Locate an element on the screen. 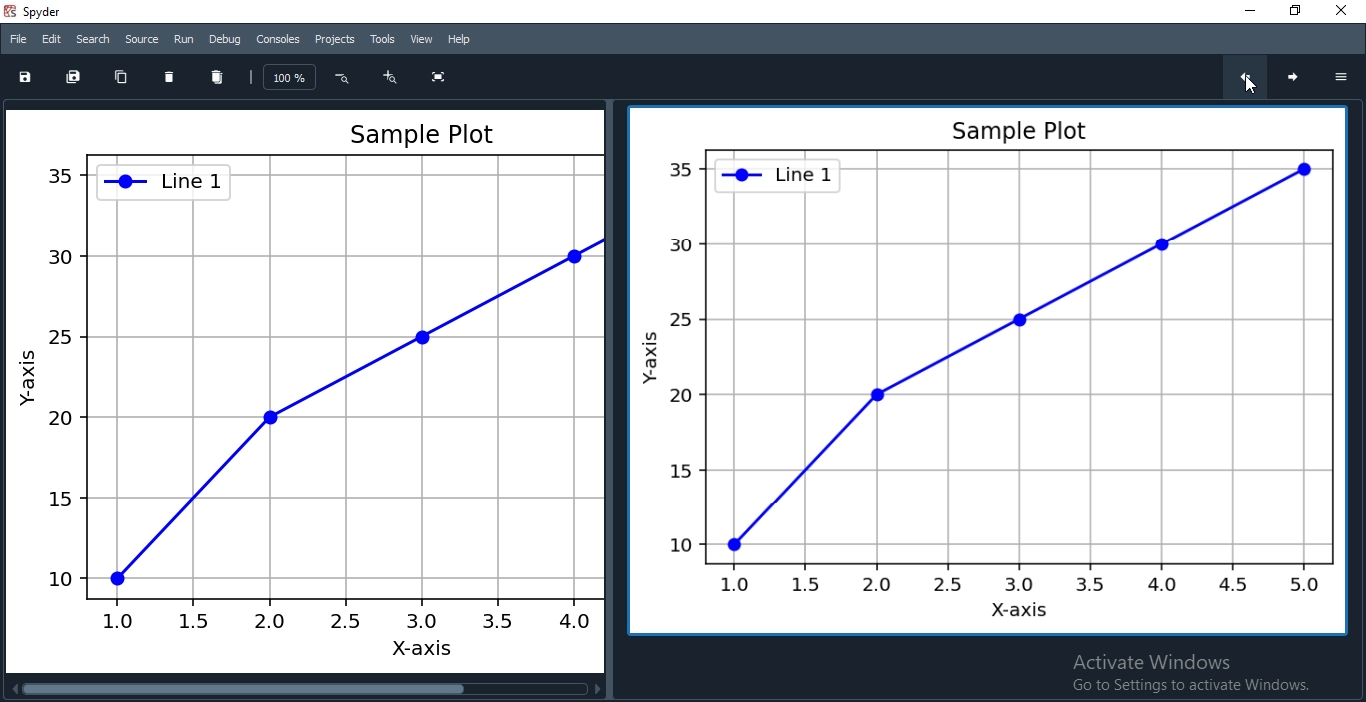 Image resolution: width=1366 pixels, height=702 pixels. clicked is located at coordinates (1247, 81).